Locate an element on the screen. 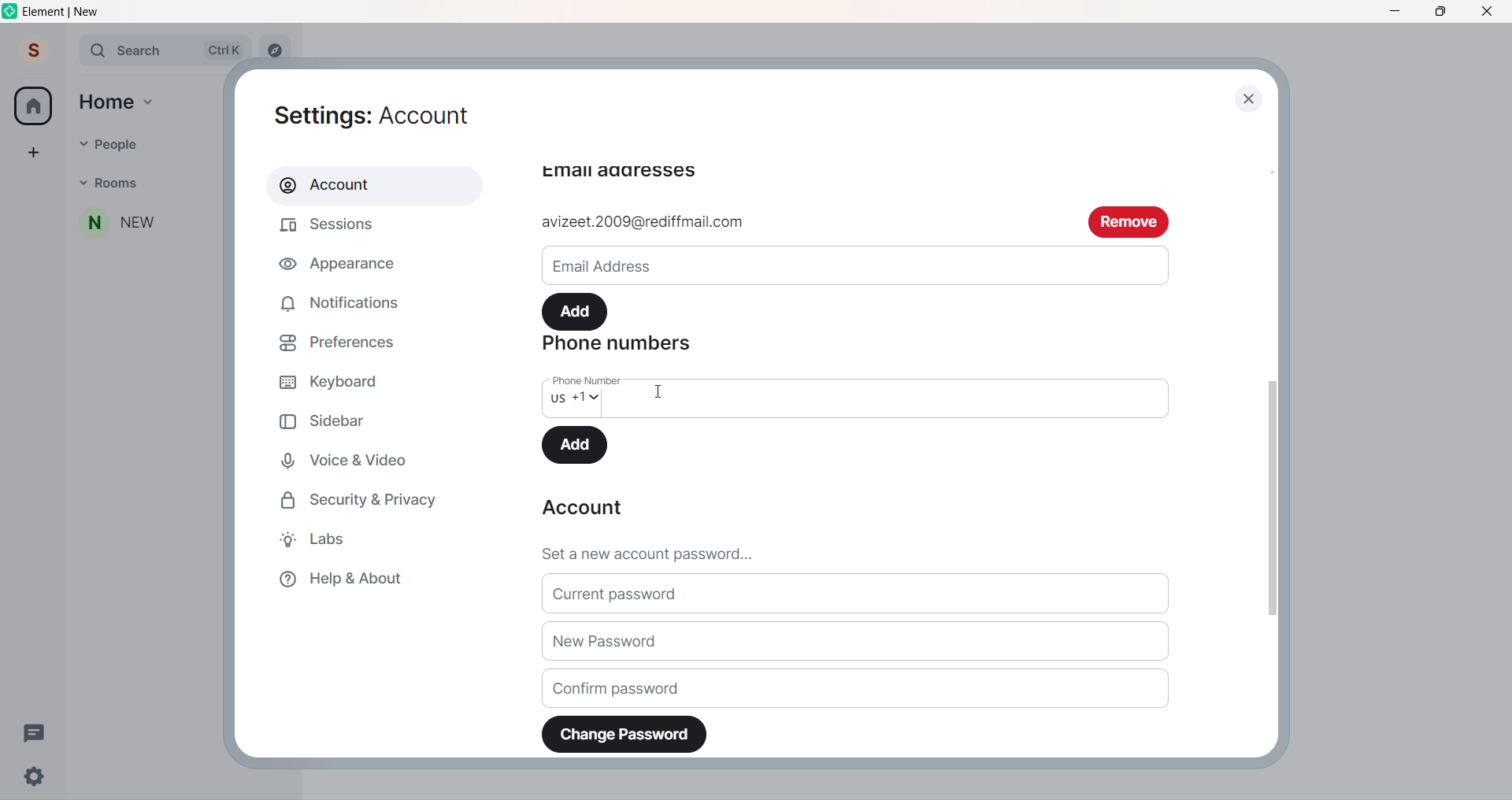  Add is located at coordinates (577, 309).